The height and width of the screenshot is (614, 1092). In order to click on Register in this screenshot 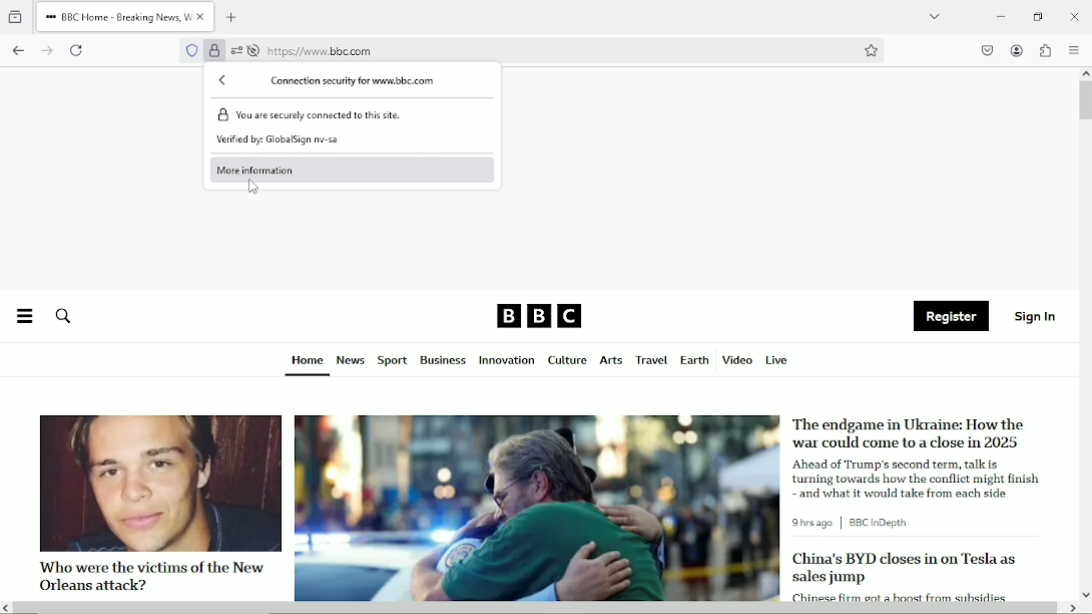, I will do `click(951, 317)`.